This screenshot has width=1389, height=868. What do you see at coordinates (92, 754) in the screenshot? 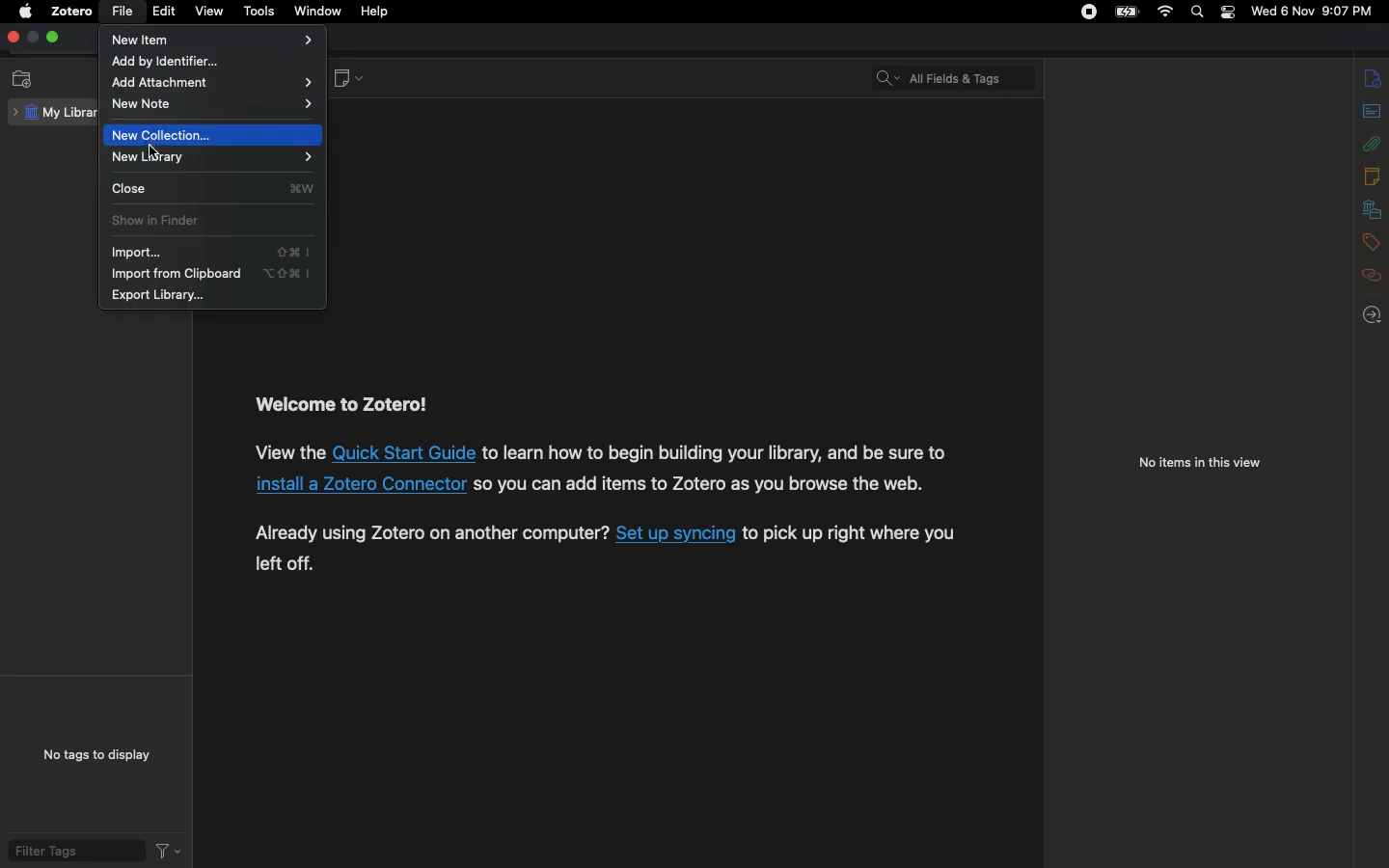
I see `No tags to display` at bounding box center [92, 754].